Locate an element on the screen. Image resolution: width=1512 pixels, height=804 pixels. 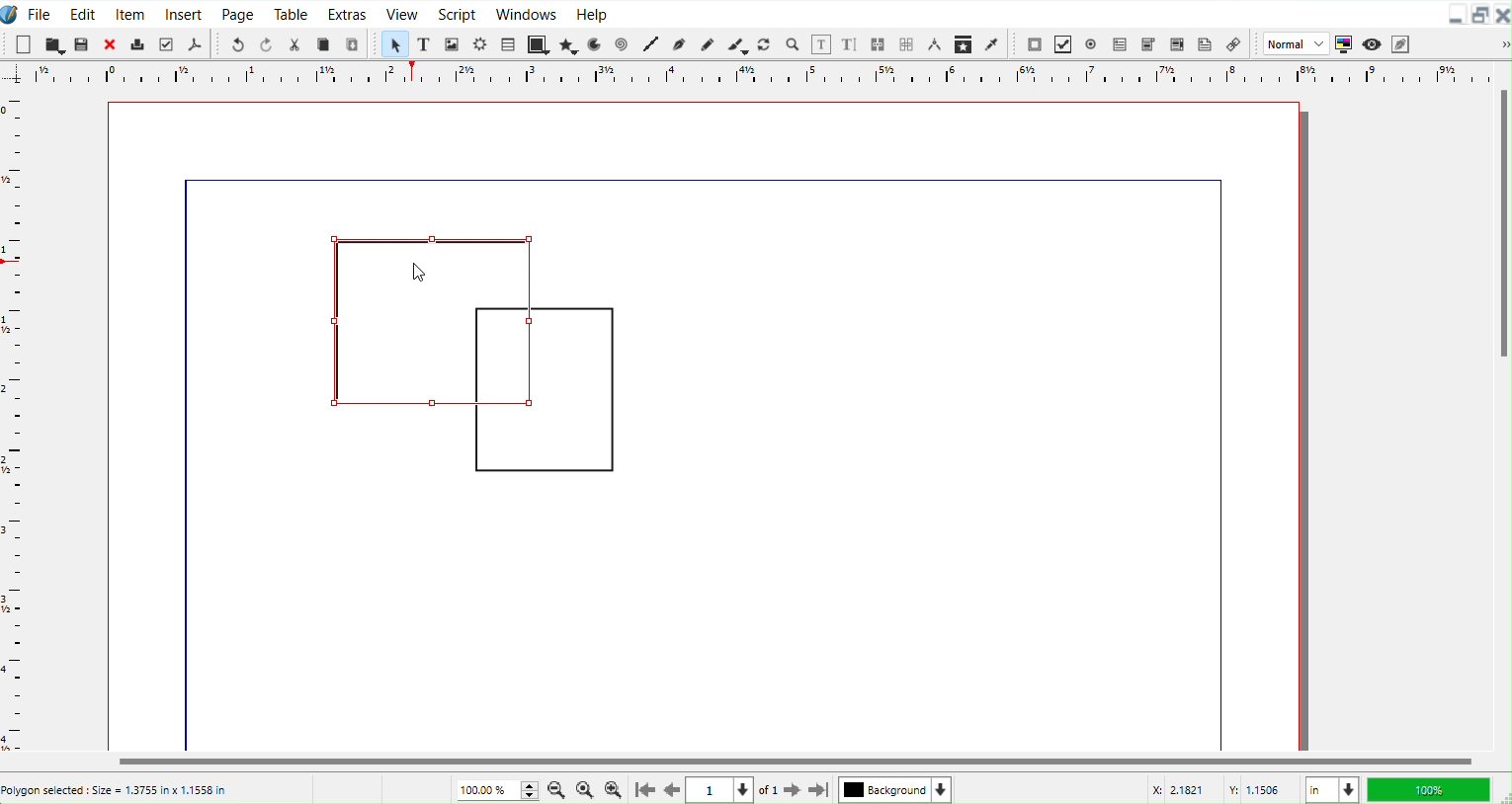
100 %  is located at coordinates (1432, 789).